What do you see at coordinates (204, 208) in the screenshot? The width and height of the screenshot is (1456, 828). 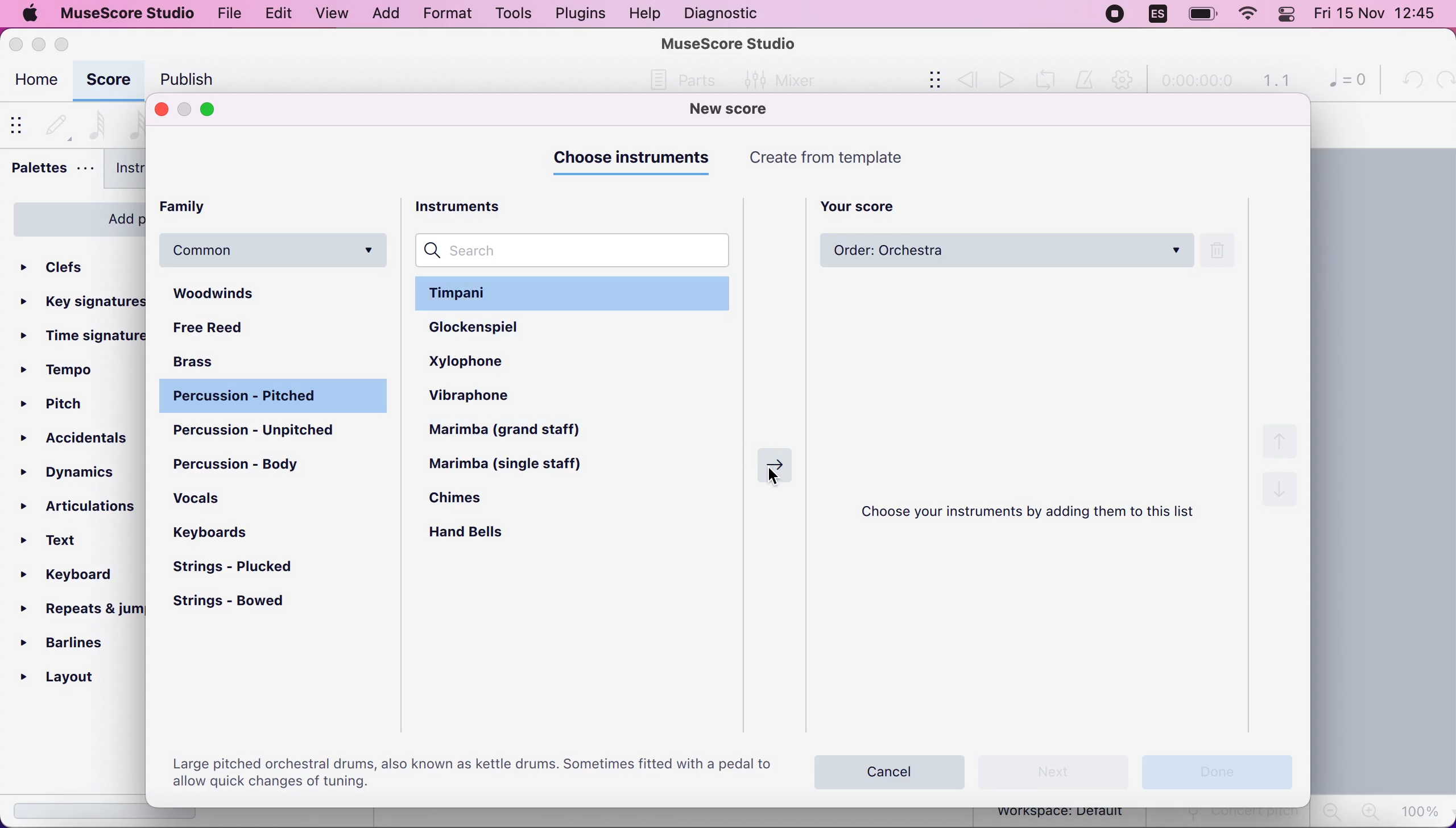 I see `family` at bounding box center [204, 208].